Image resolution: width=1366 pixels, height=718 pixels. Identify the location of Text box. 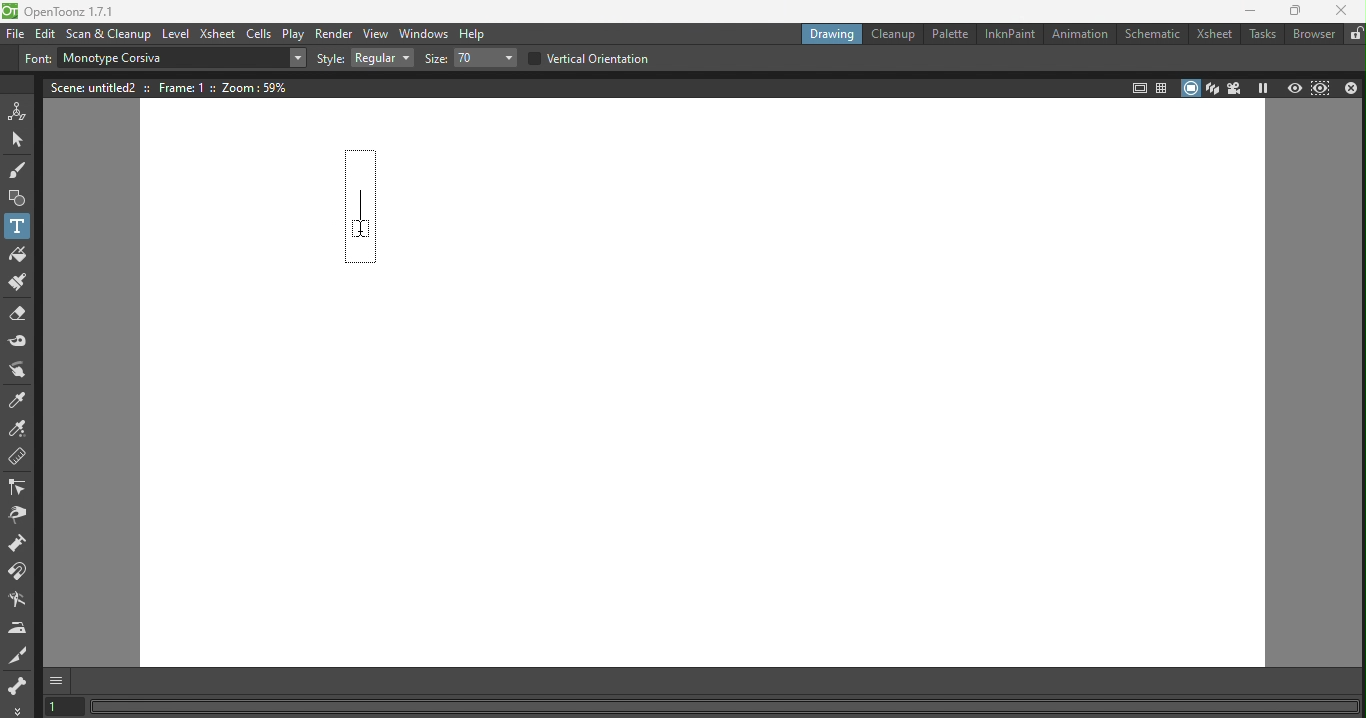
(165, 59).